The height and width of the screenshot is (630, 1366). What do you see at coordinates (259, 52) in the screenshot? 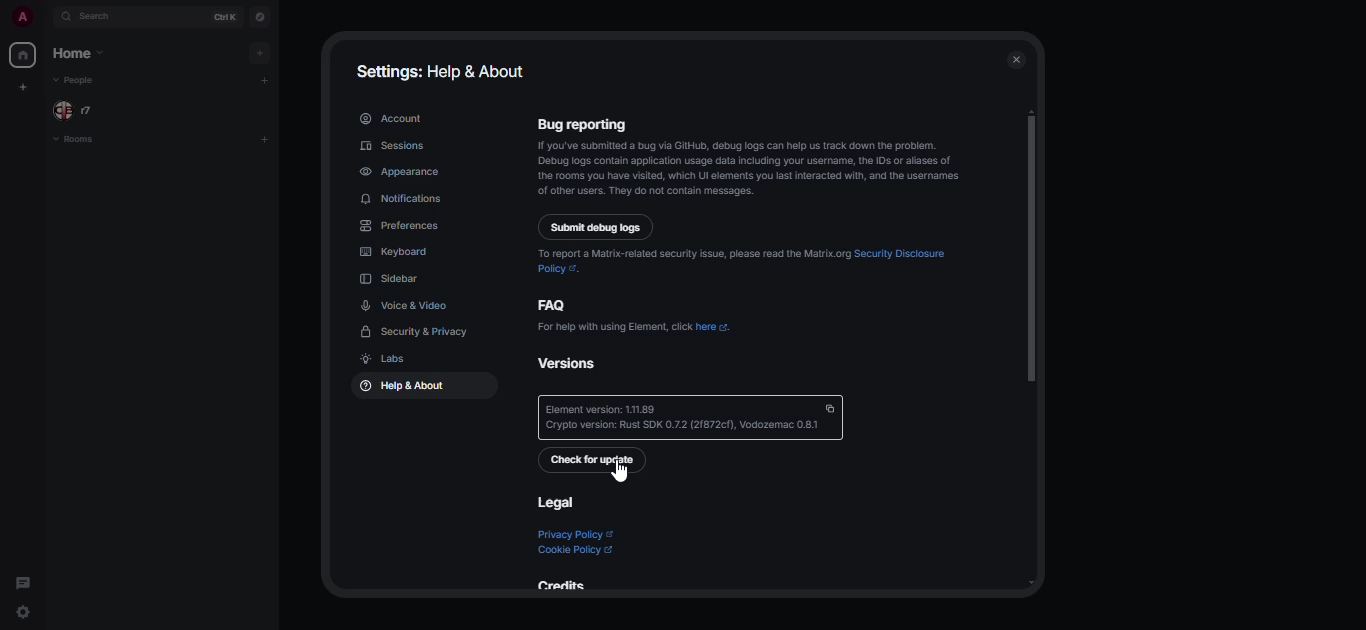
I see `add` at bounding box center [259, 52].